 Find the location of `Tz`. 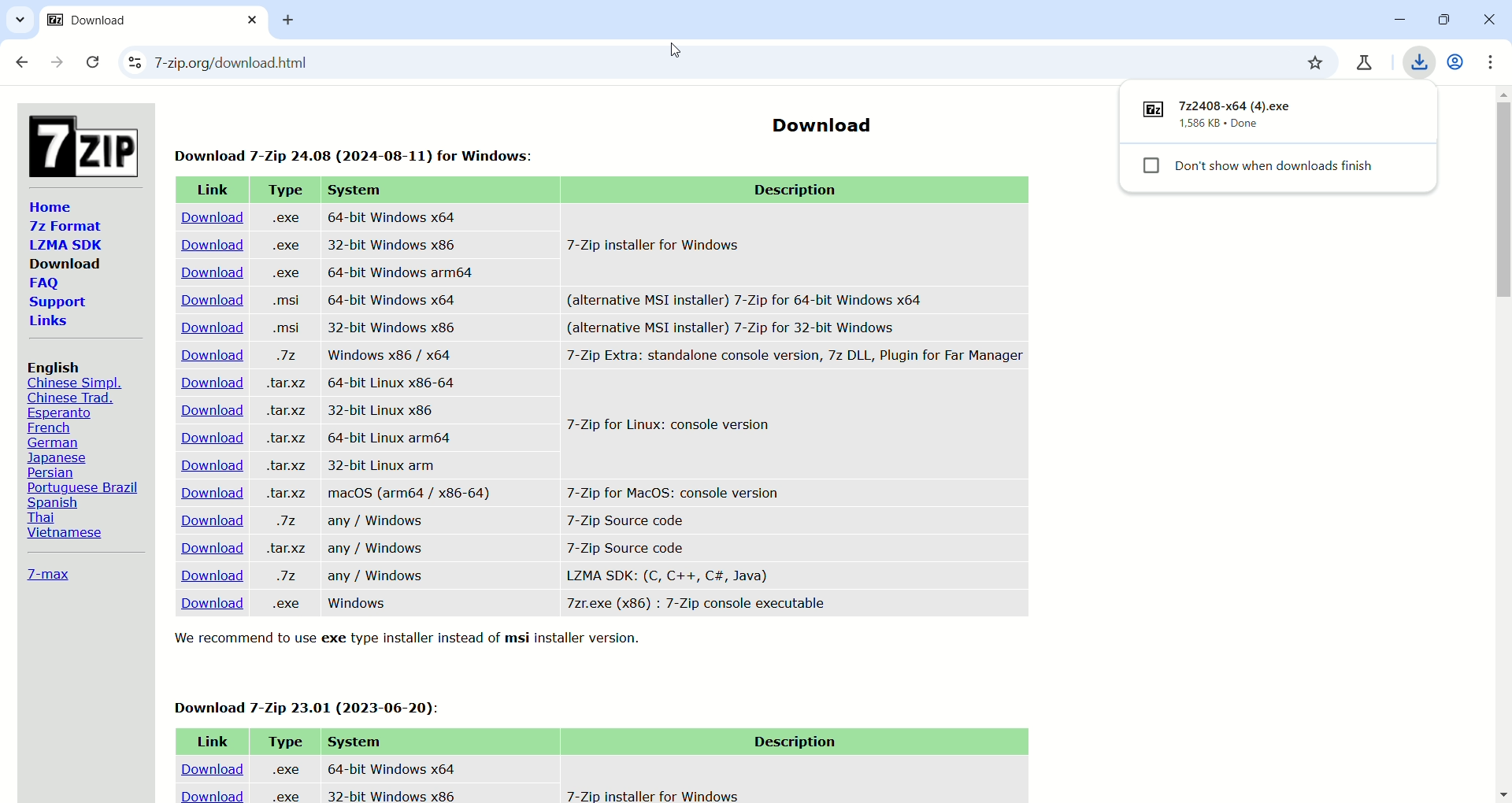

Tz is located at coordinates (292, 575).